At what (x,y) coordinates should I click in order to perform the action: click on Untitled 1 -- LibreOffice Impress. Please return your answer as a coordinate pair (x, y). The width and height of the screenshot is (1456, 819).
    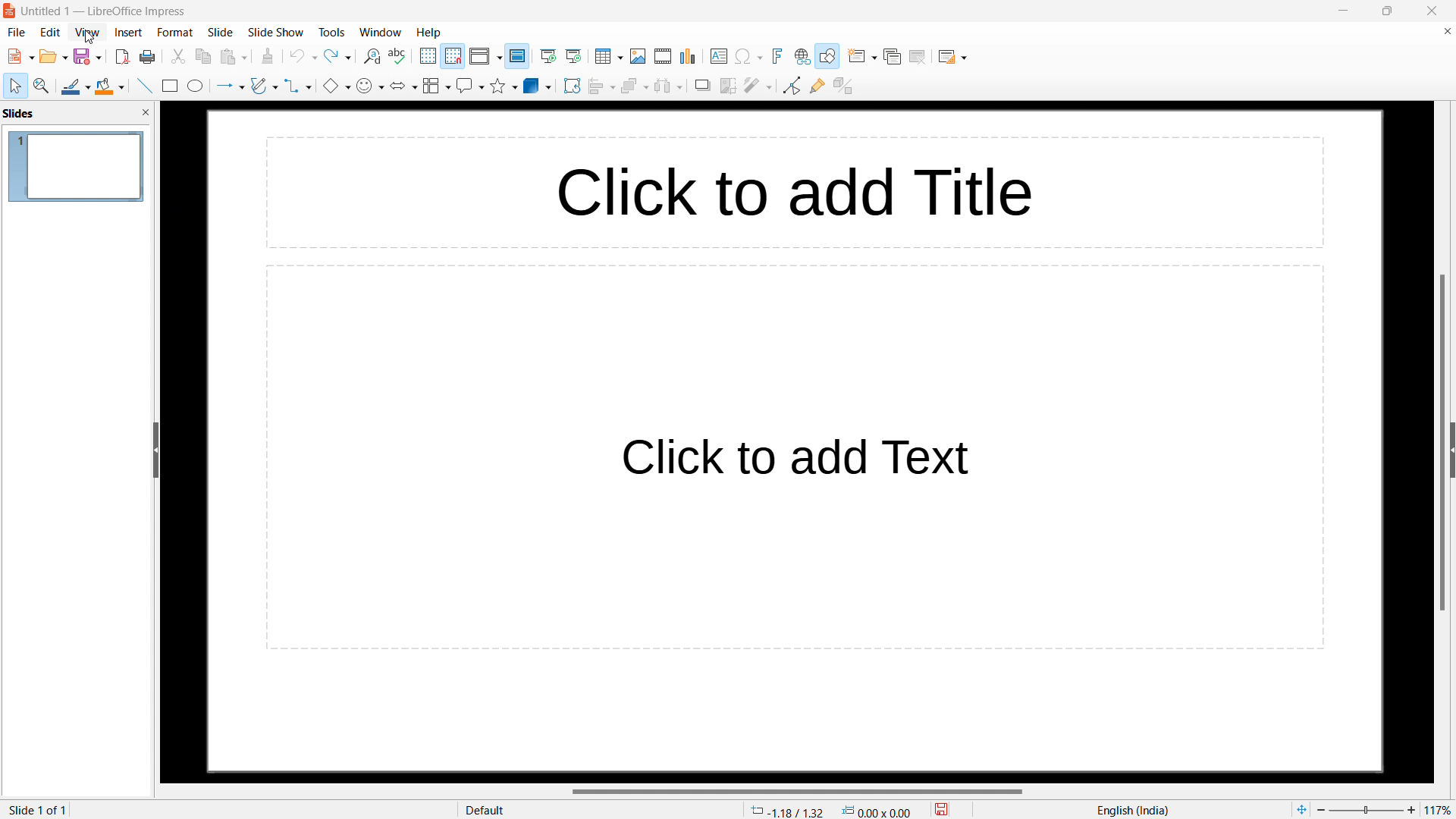
    Looking at the image, I should click on (104, 11).